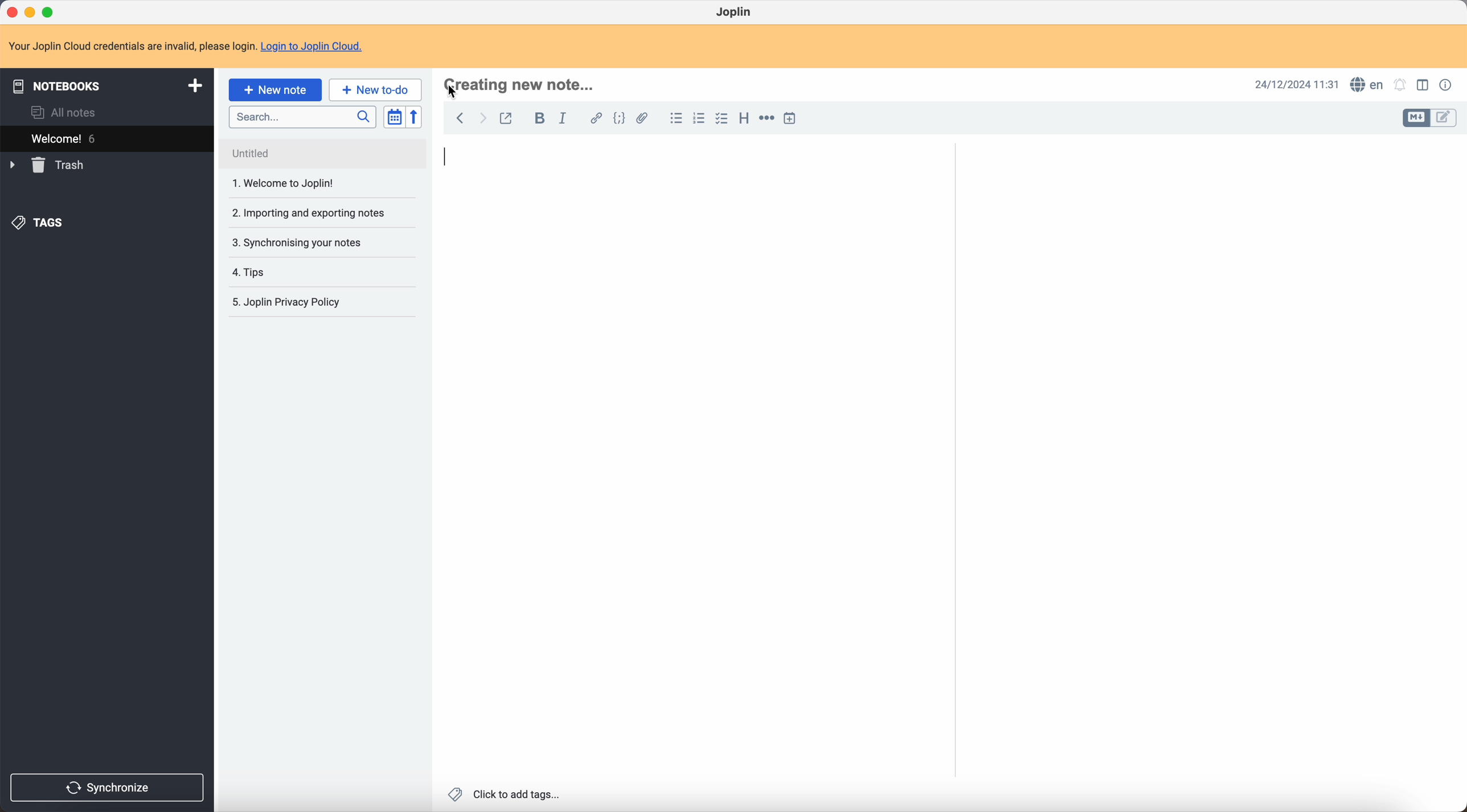 Image resolution: width=1467 pixels, height=812 pixels. I want to click on reverse sort order, so click(413, 117).